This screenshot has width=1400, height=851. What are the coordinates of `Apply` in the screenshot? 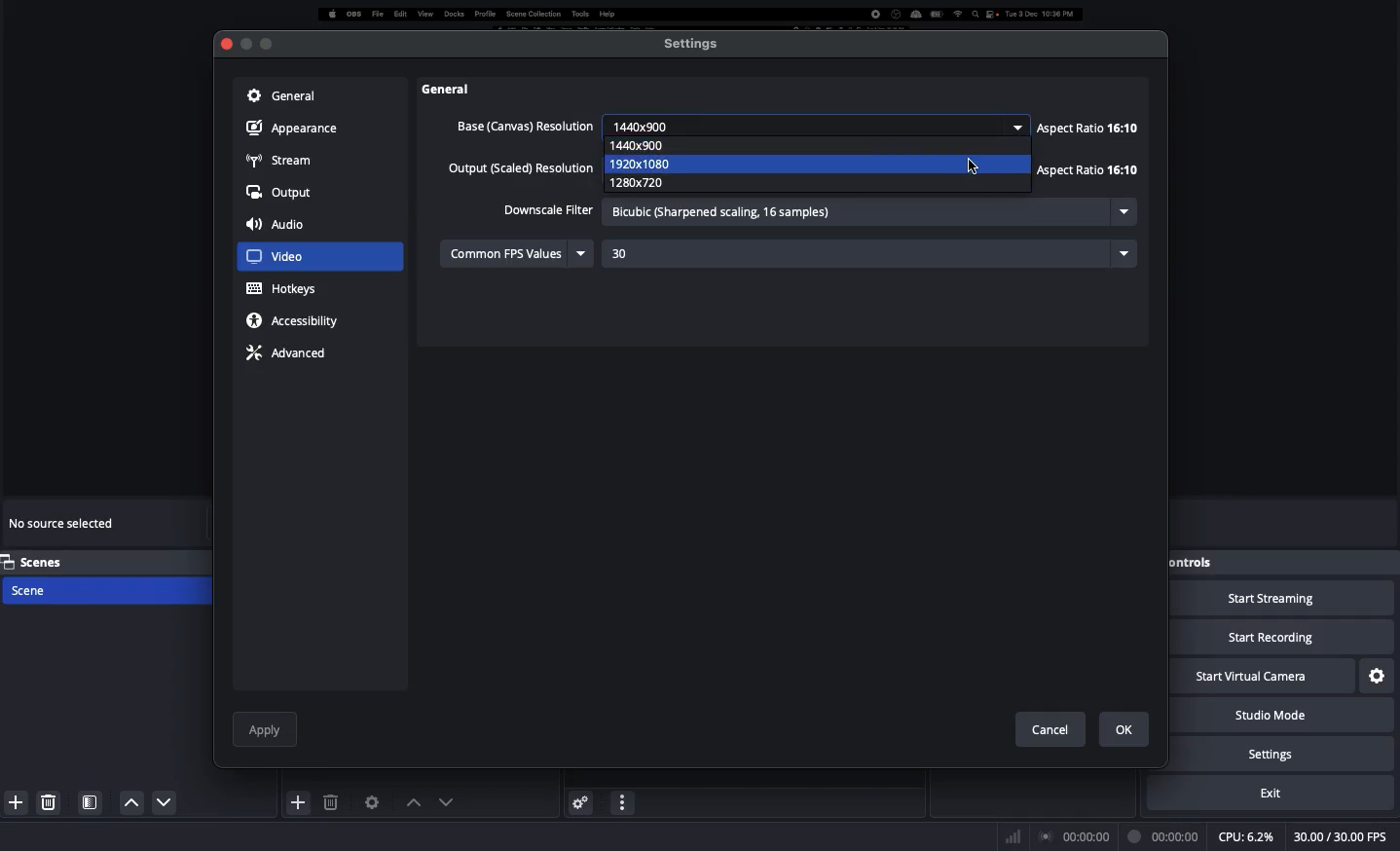 It's located at (266, 726).